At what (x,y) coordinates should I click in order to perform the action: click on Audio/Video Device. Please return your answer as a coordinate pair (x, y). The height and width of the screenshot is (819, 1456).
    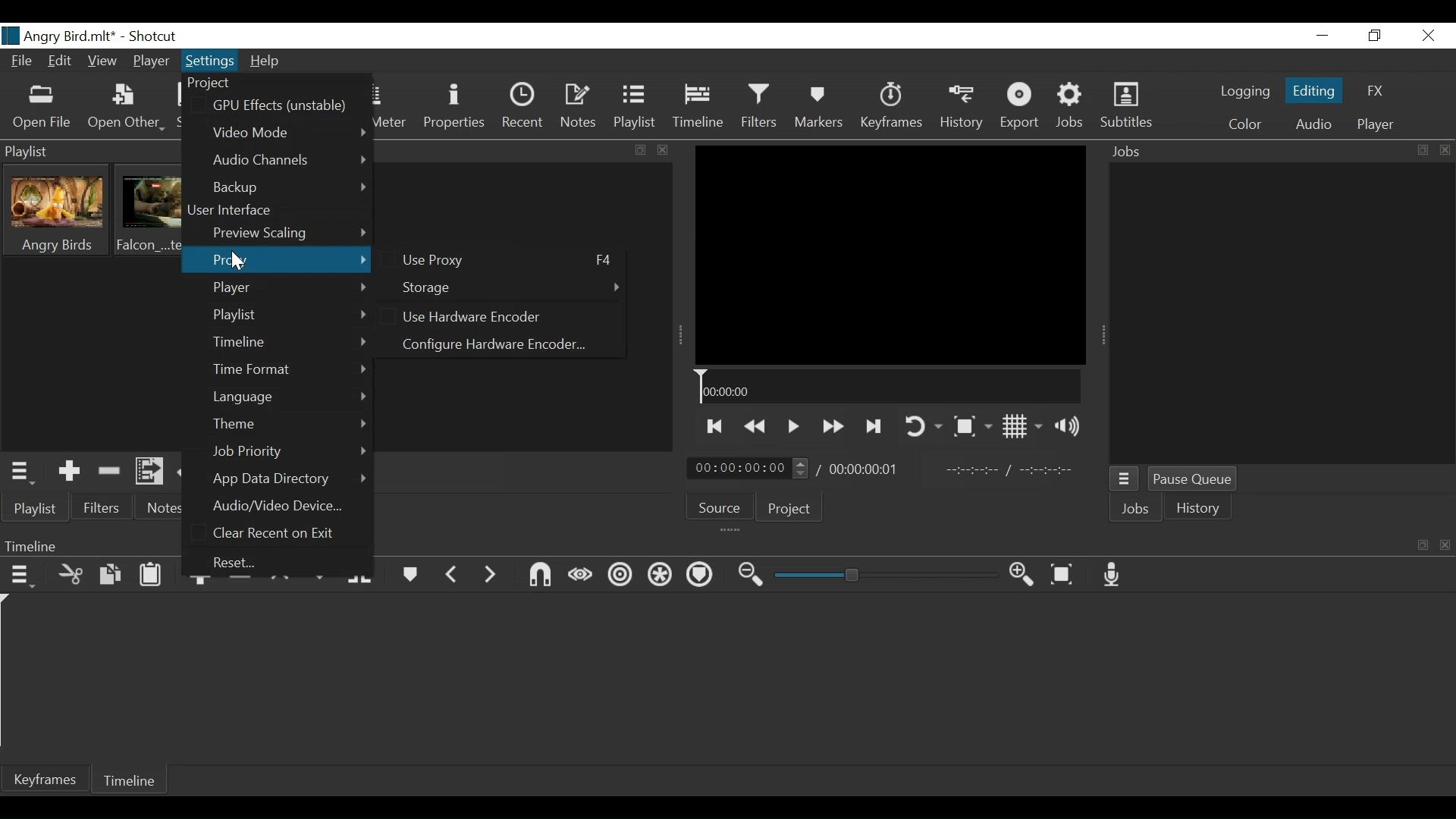
    Looking at the image, I should click on (286, 505).